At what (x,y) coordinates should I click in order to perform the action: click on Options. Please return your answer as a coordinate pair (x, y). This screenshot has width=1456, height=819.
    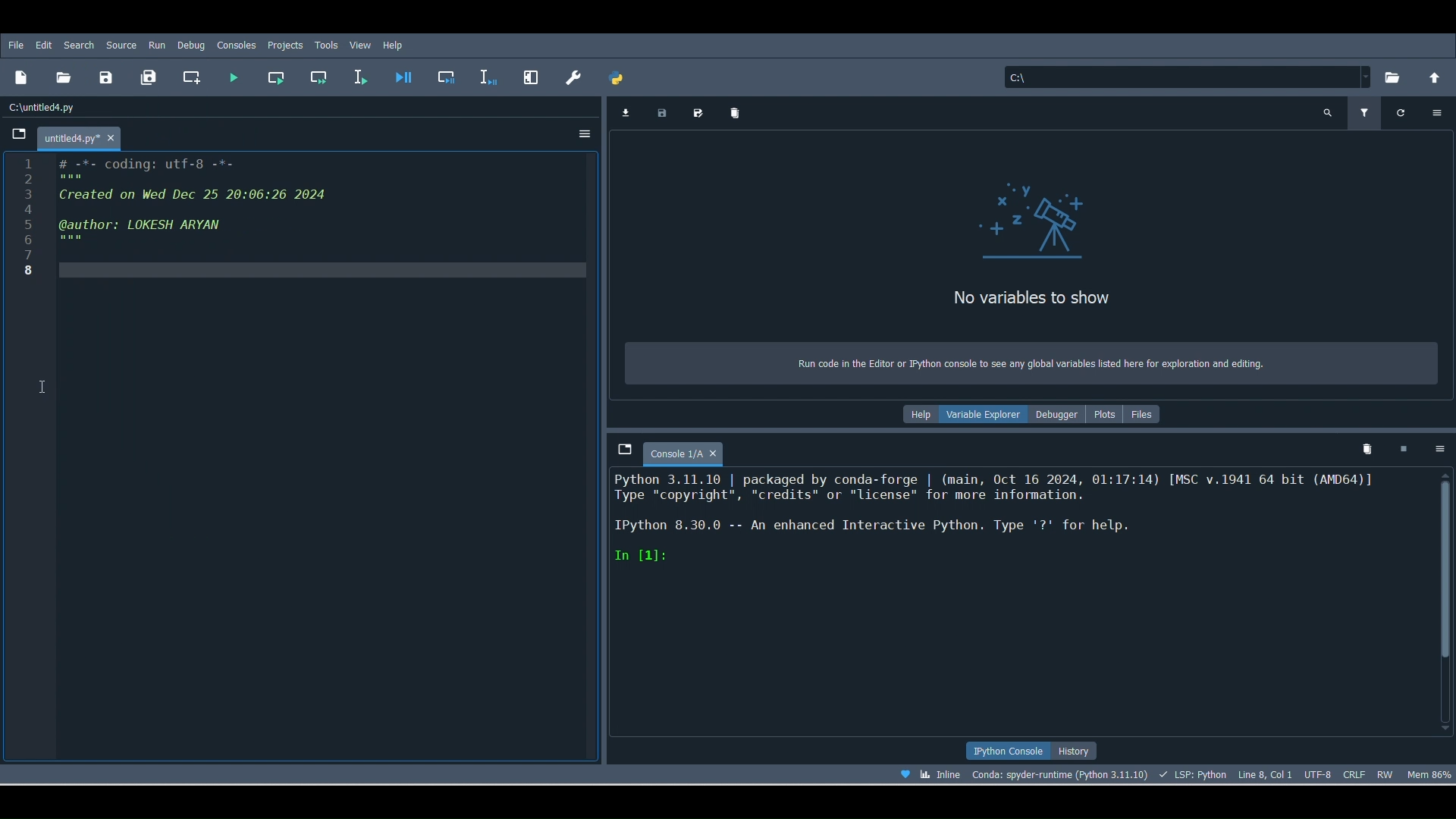
    Looking at the image, I should click on (1439, 452).